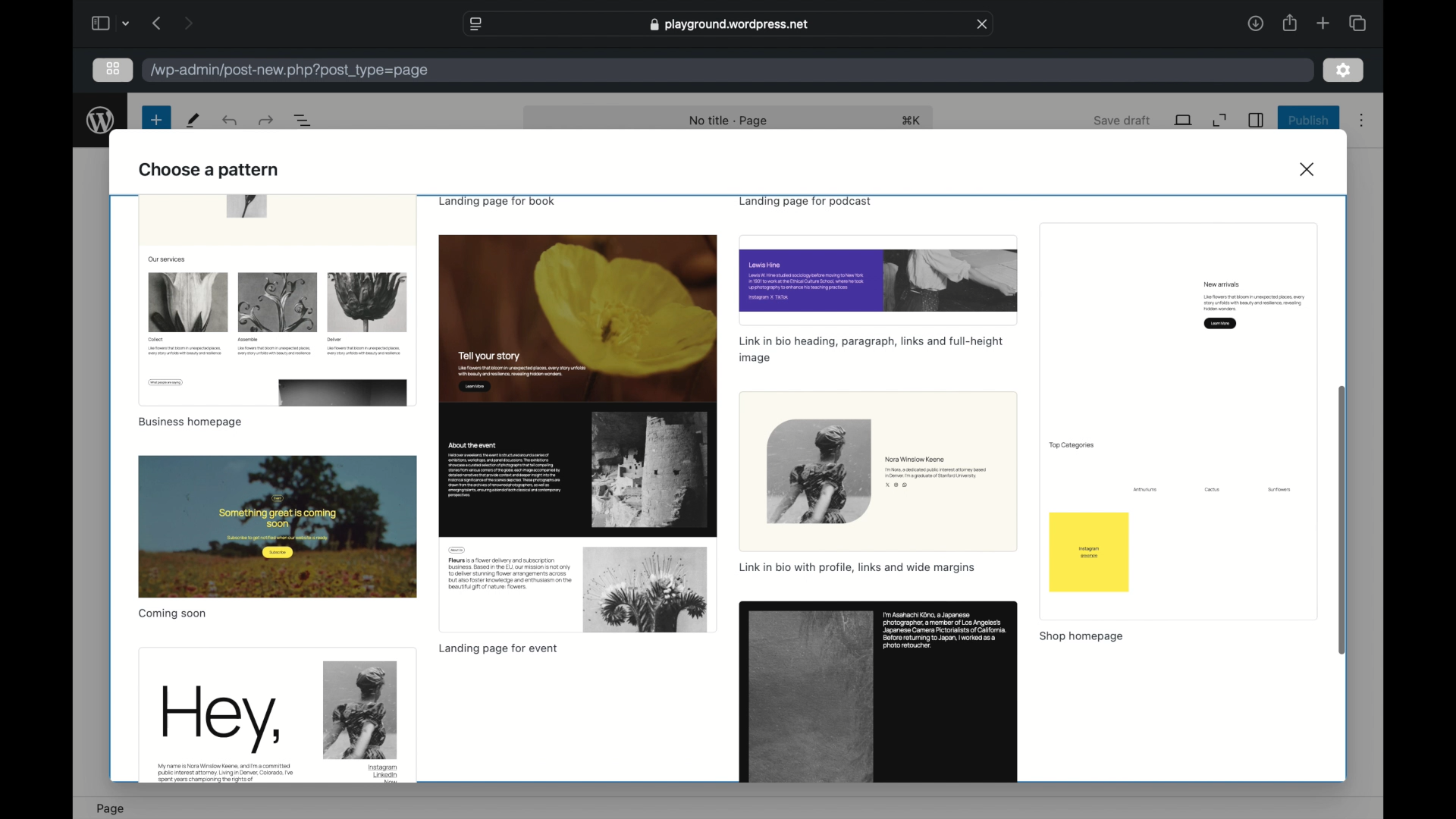  Describe the element at coordinates (983, 24) in the screenshot. I see `close` at that location.